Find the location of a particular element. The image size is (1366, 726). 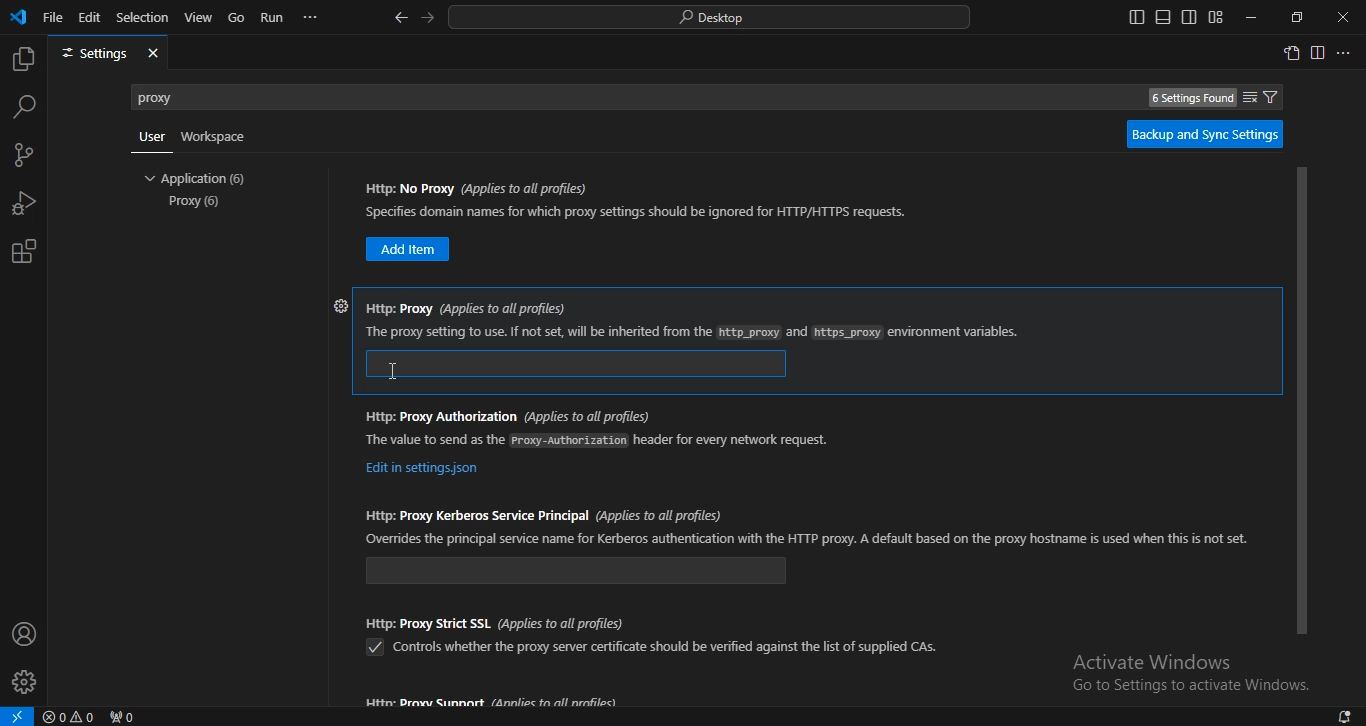

More actions is located at coordinates (1346, 51).